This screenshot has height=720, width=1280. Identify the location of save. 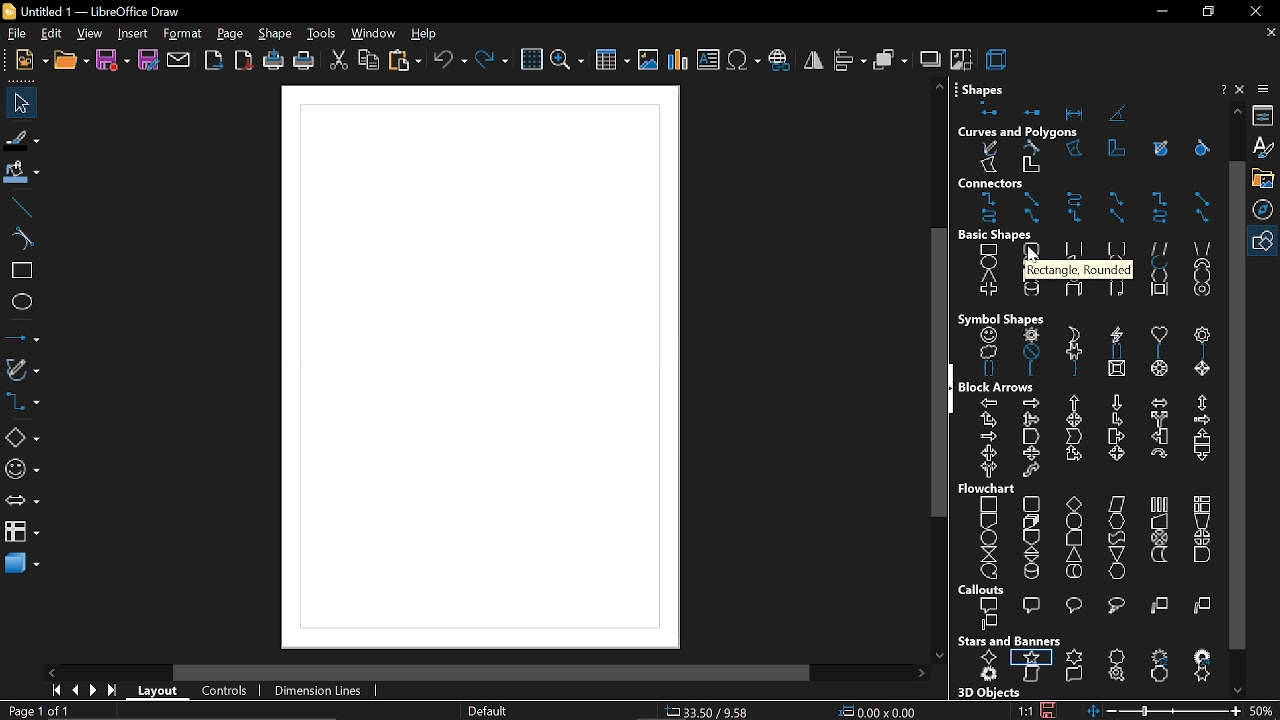
(1048, 708).